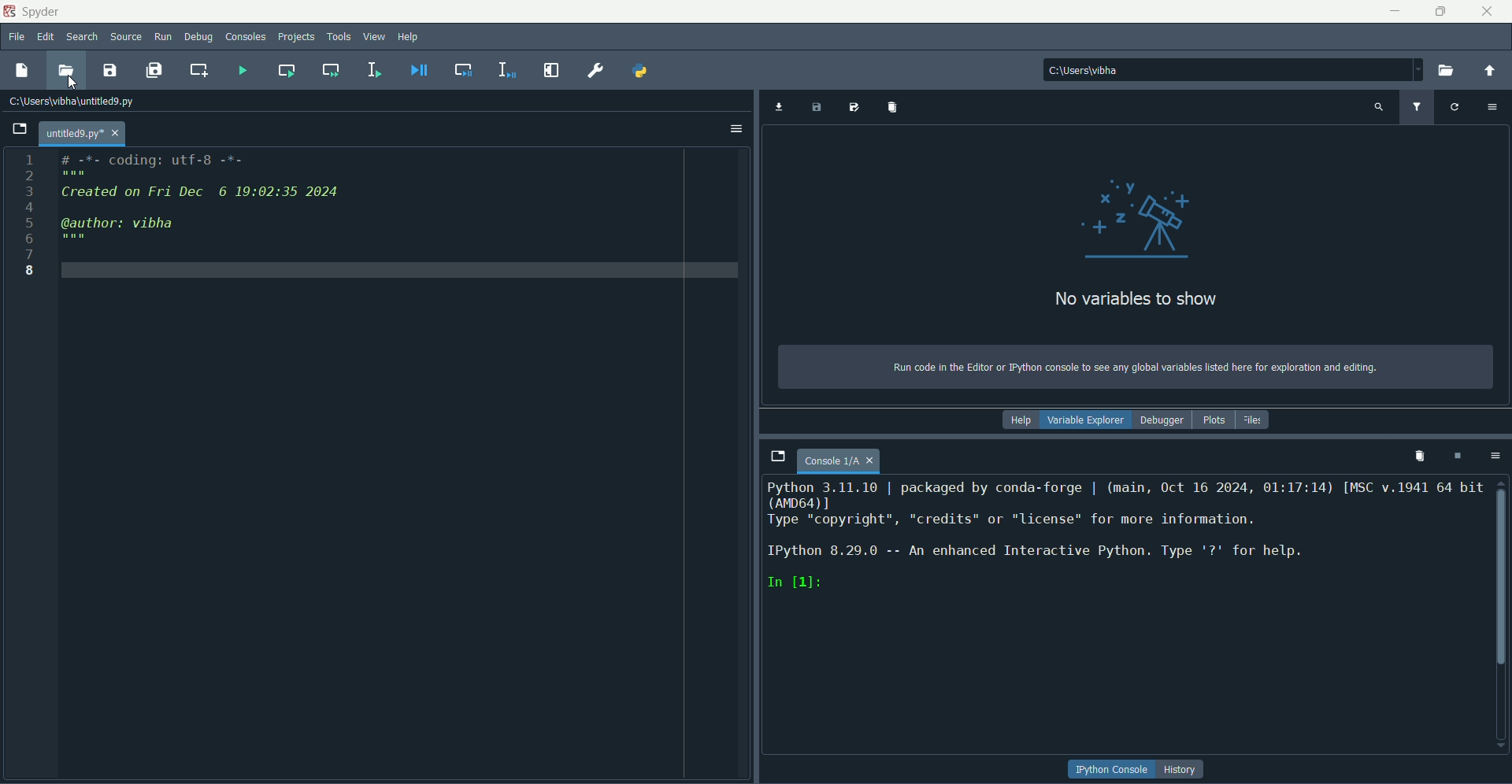  What do you see at coordinates (296, 38) in the screenshot?
I see `projects` at bounding box center [296, 38].